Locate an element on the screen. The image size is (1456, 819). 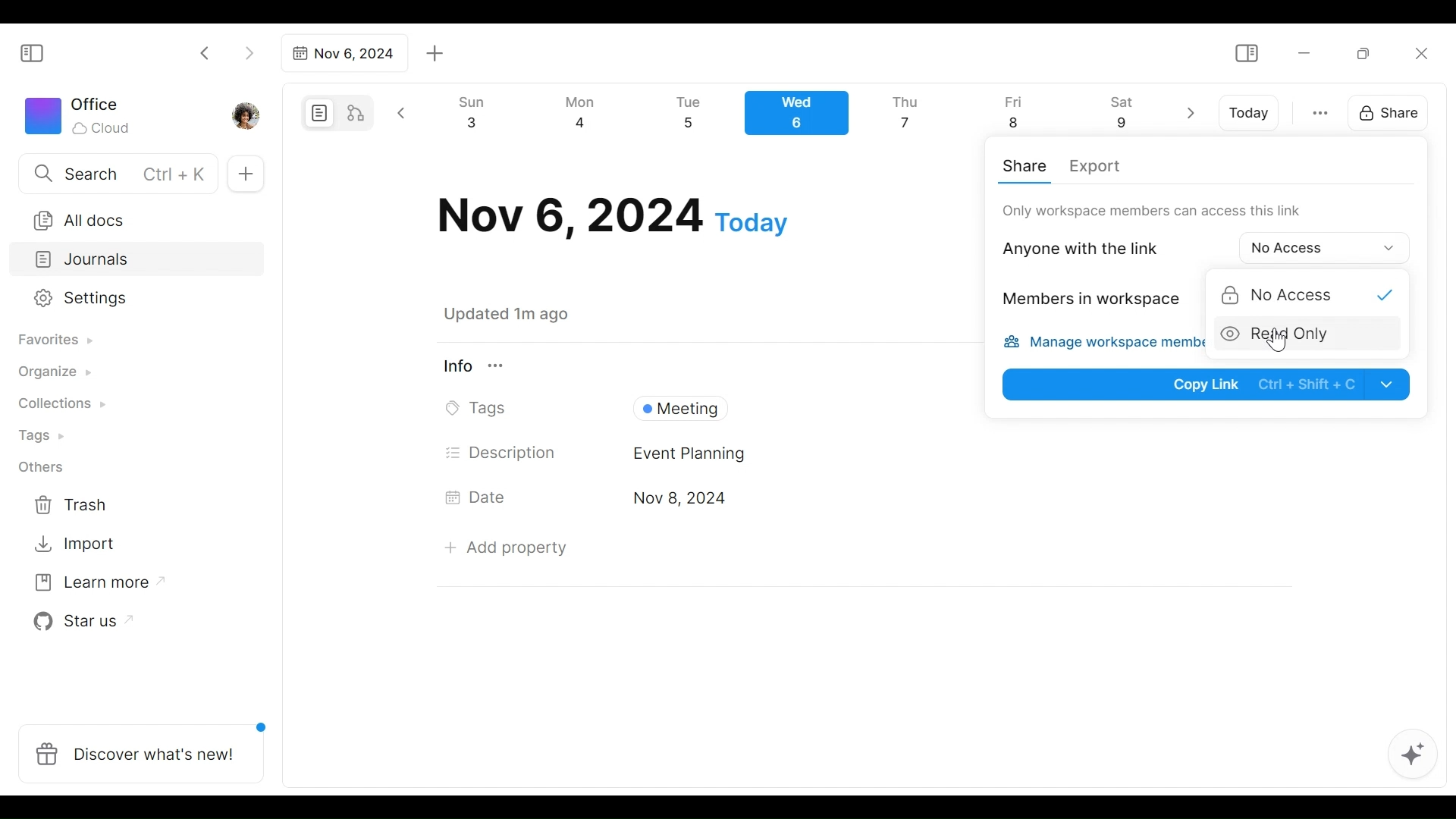
Tags Field is located at coordinates (795, 405).